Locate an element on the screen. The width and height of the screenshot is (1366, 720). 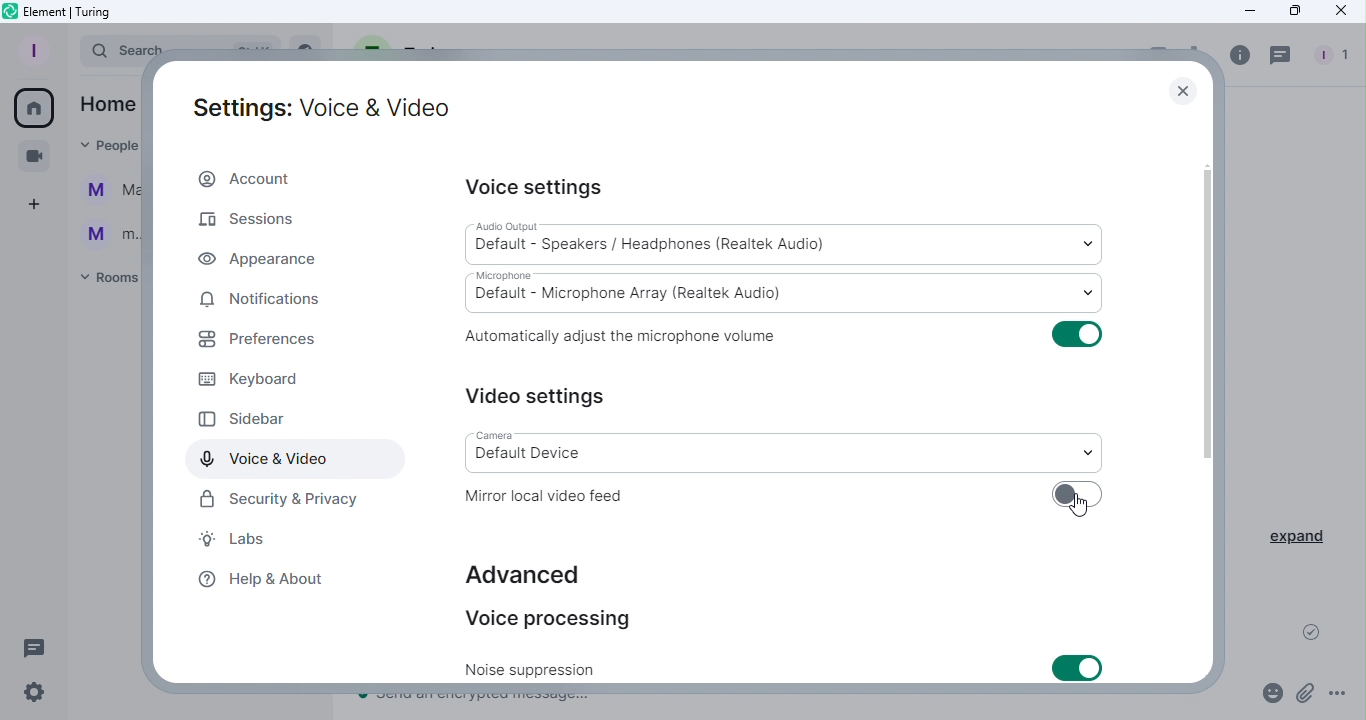
Conferences is located at coordinates (32, 152).